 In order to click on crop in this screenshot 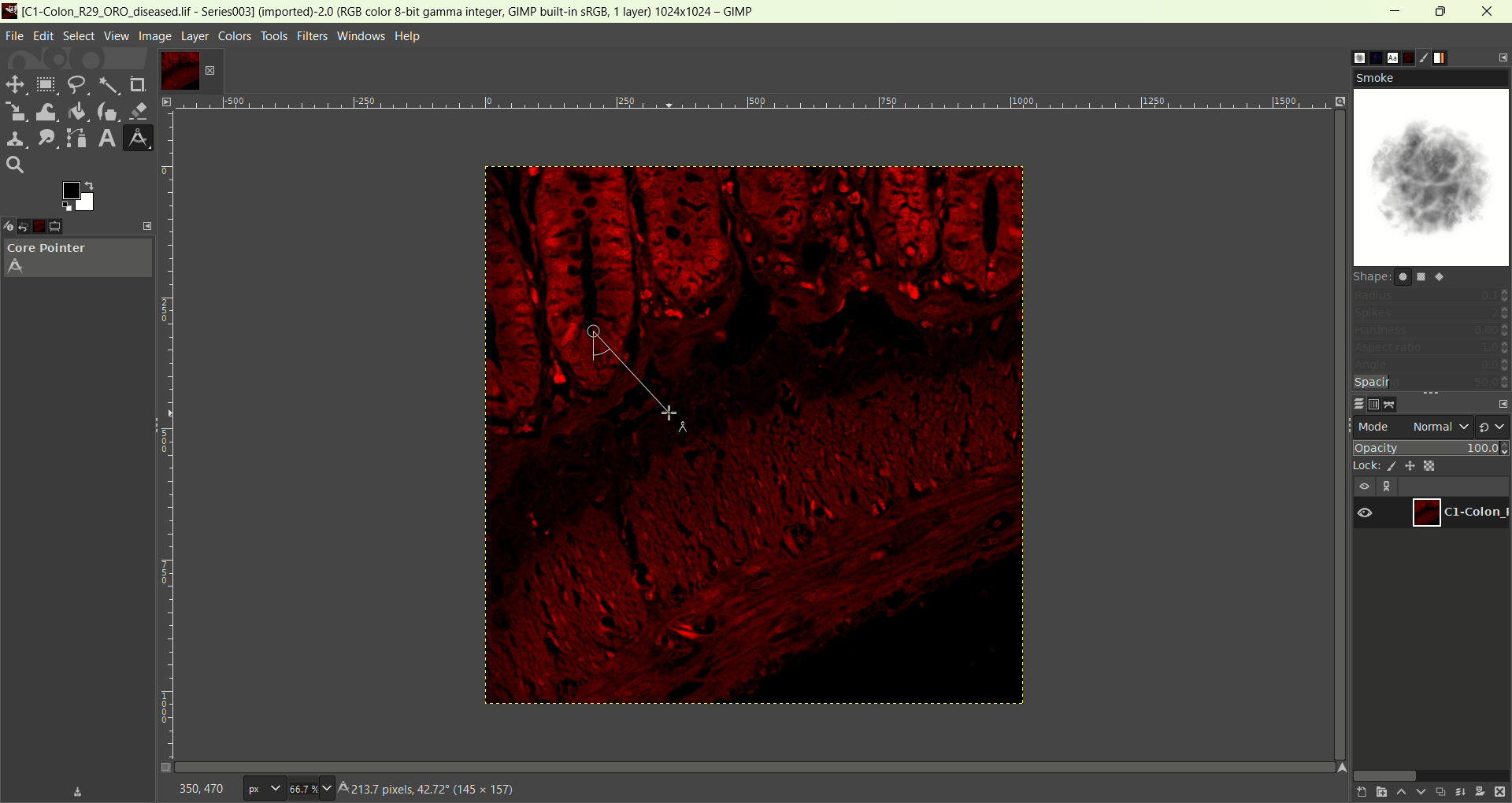, I will do `click(139, 85)`.